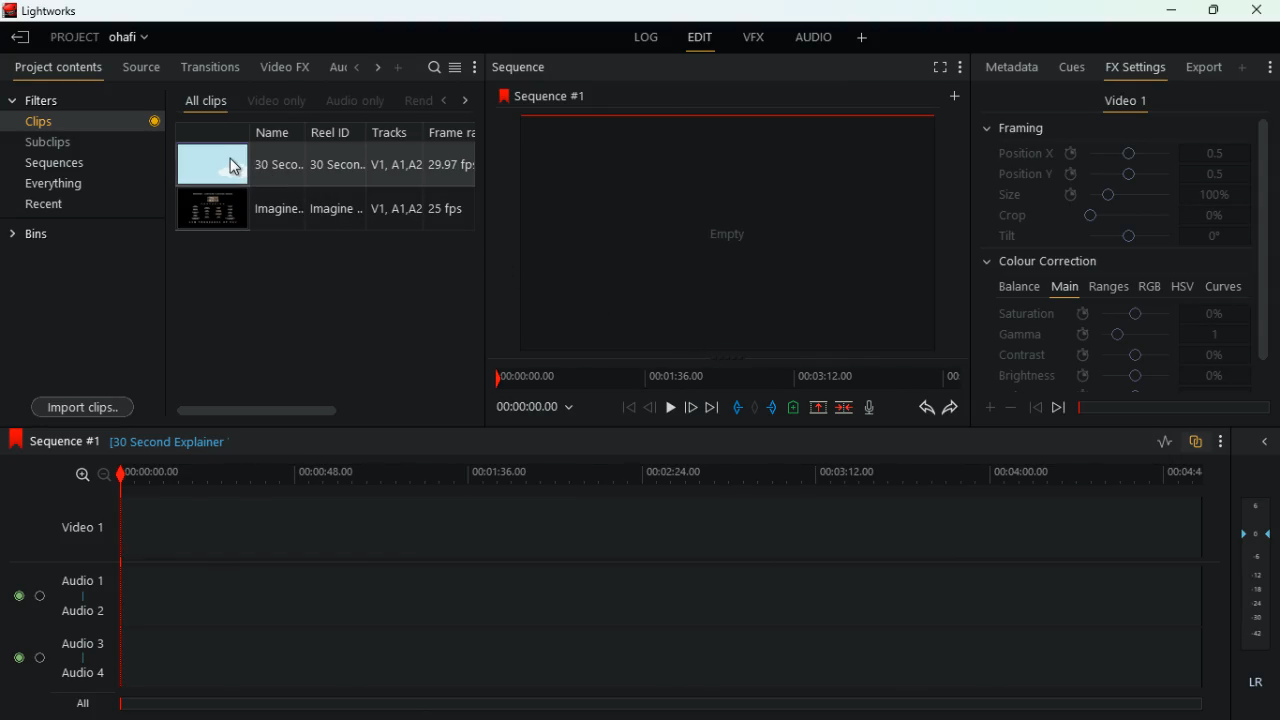 The width and height of the screenshot is (1280, 720). Describe the element at coordinates (987, 409) in the screenshot. I see `plus` at that location.